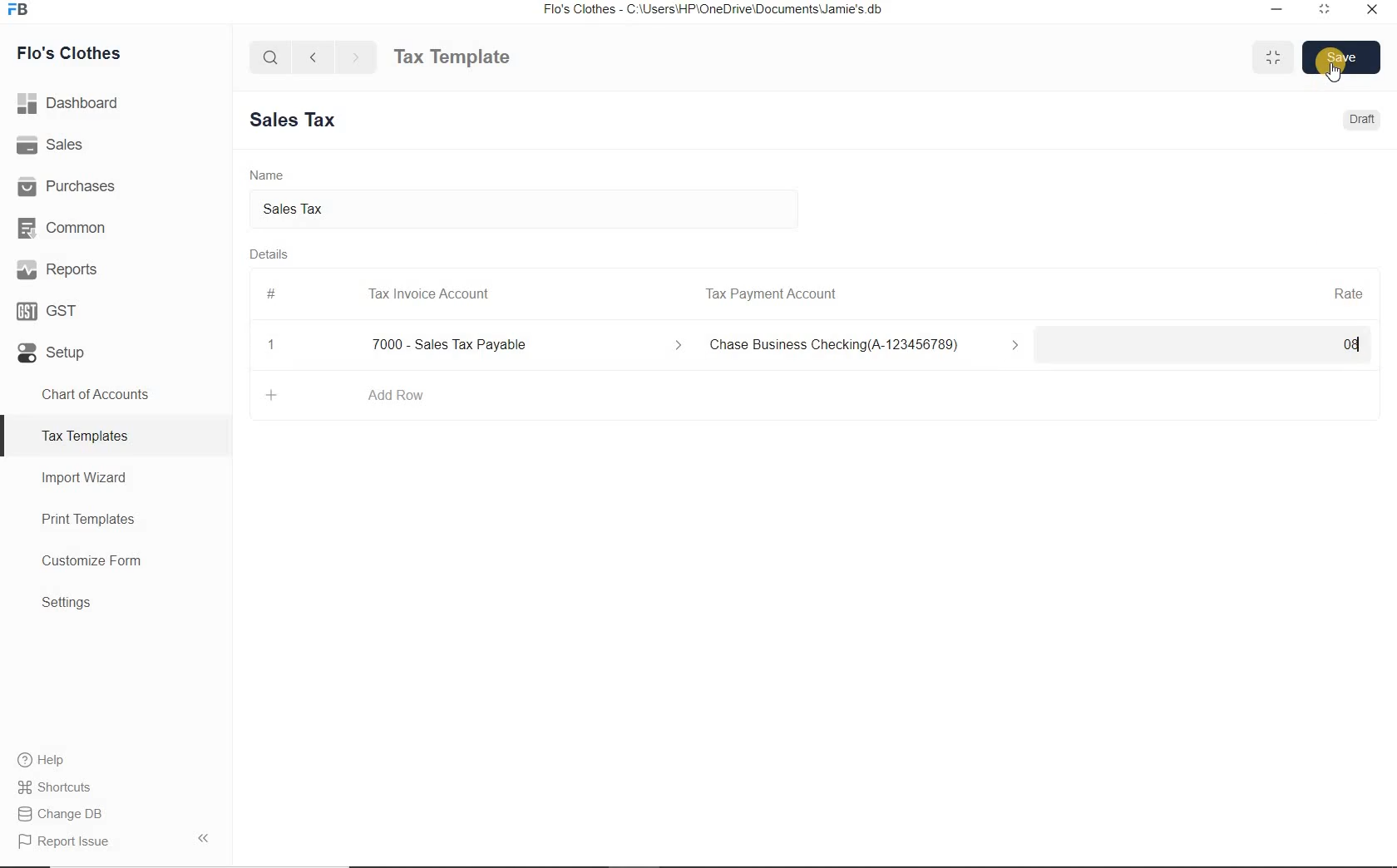 This screenshot has height=868, width=1397. What do you see at coordinates (116, 103) in the screenshot?
I see `Dashboard` at bounding box center [116, 103].